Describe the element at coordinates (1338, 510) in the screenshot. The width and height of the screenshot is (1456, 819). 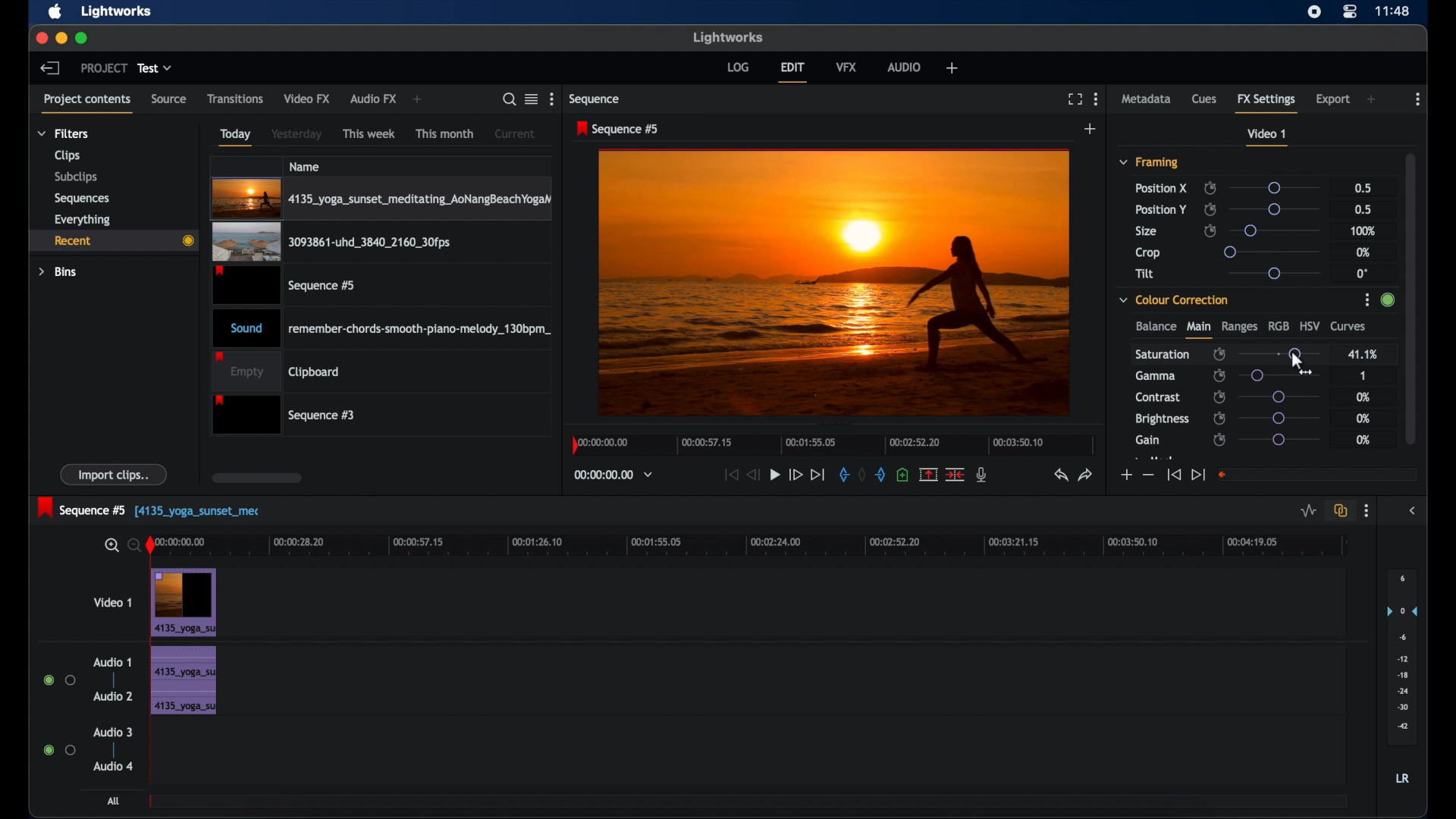
I see `toggle auto track sync` at that location.